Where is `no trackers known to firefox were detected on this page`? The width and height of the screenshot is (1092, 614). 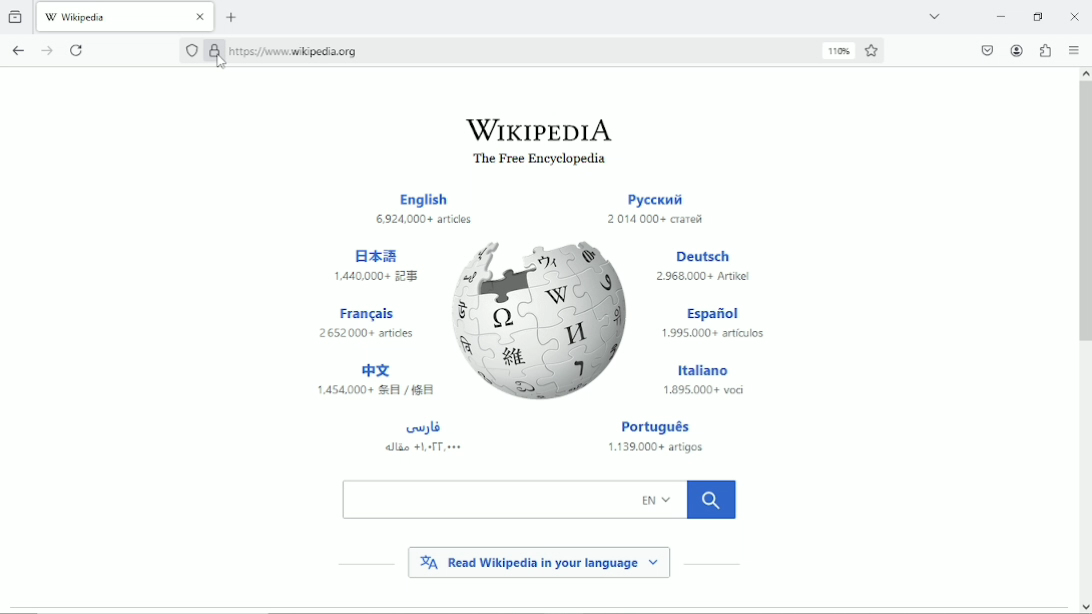 no trackers known to firefox were detected on this page is located at coordinates (191, 50).